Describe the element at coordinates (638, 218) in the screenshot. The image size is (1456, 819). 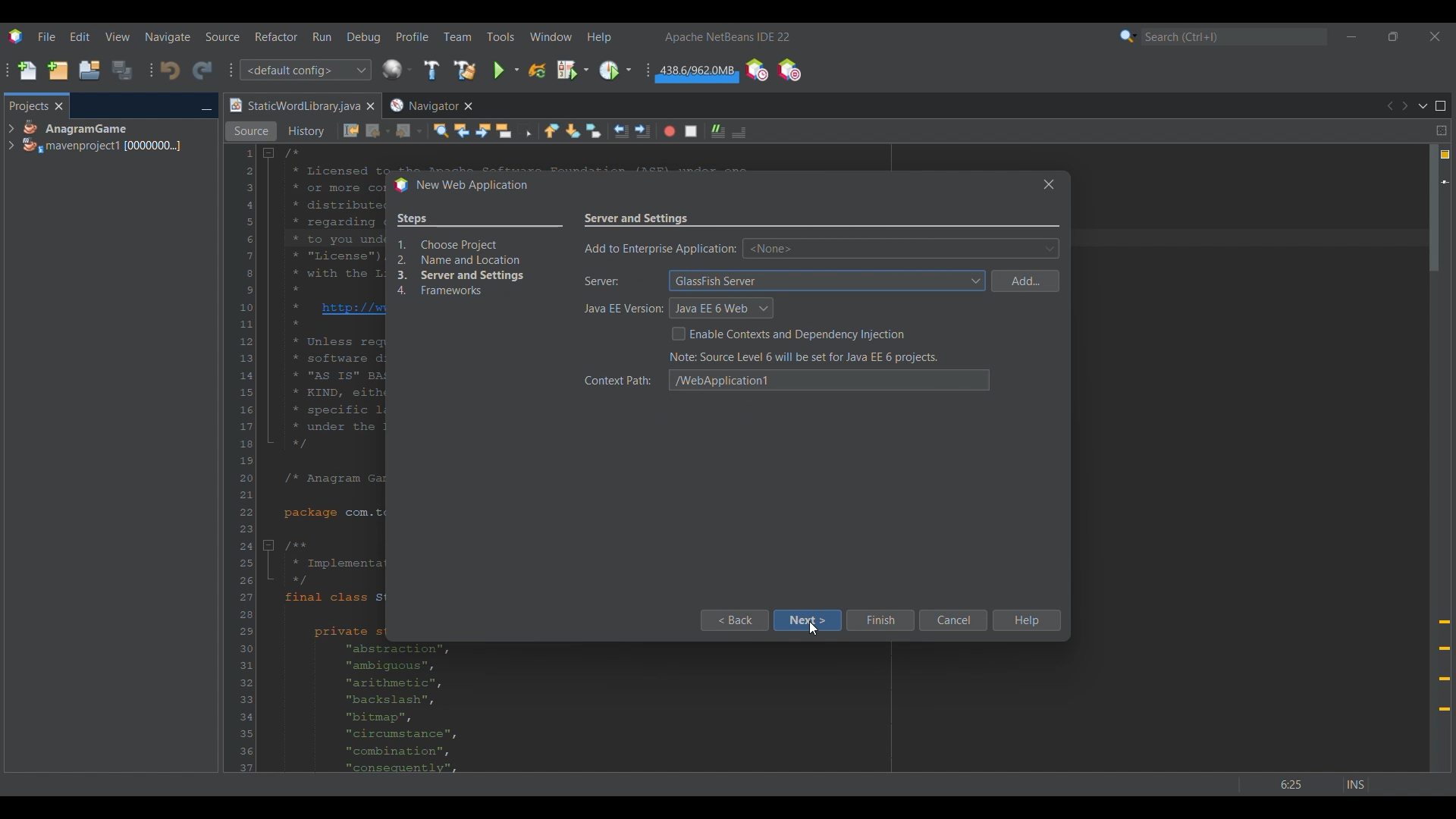
I see `Current settings name` at that location.